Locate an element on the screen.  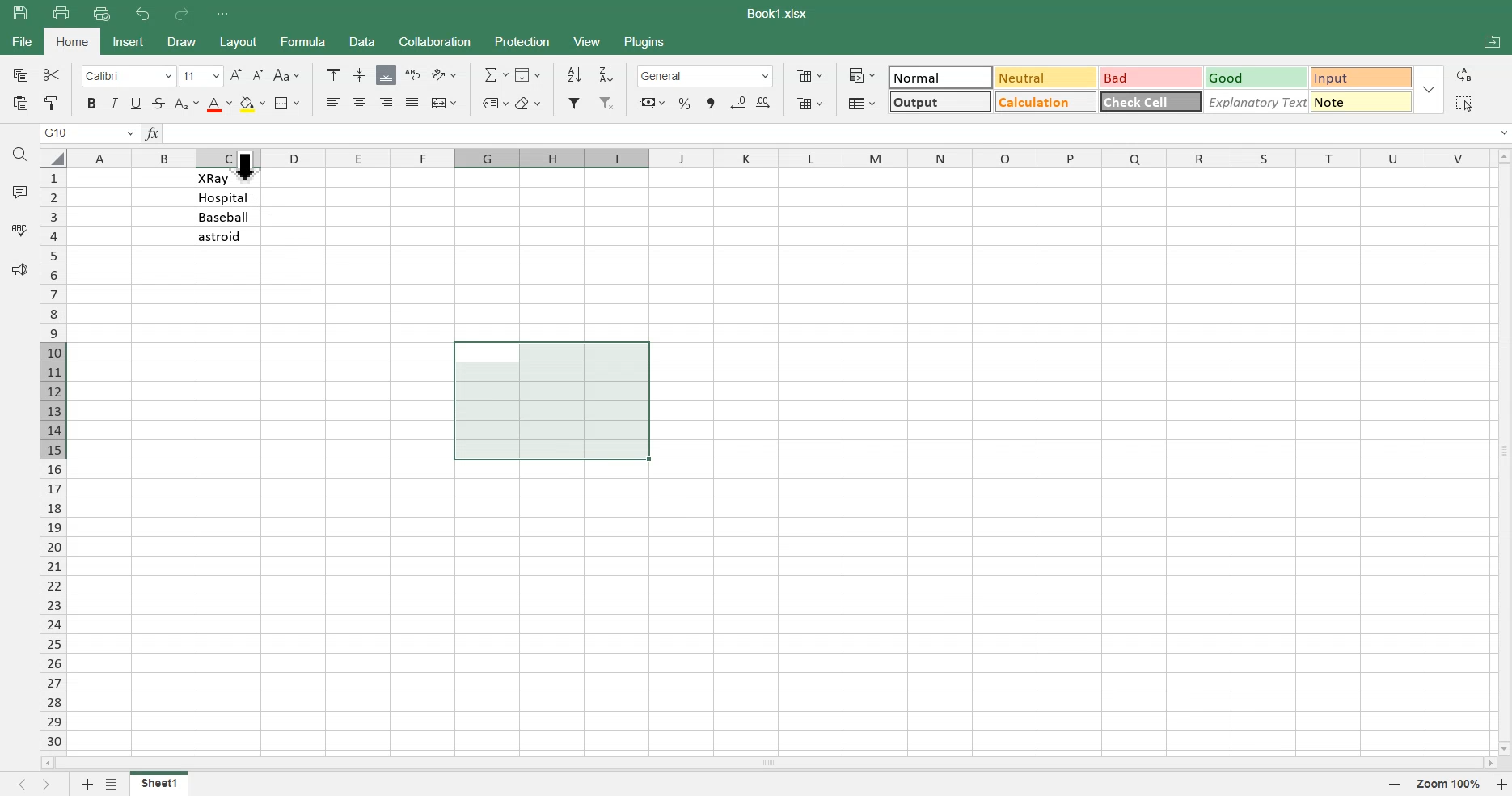
Formula is located at coordinates (154, 133).